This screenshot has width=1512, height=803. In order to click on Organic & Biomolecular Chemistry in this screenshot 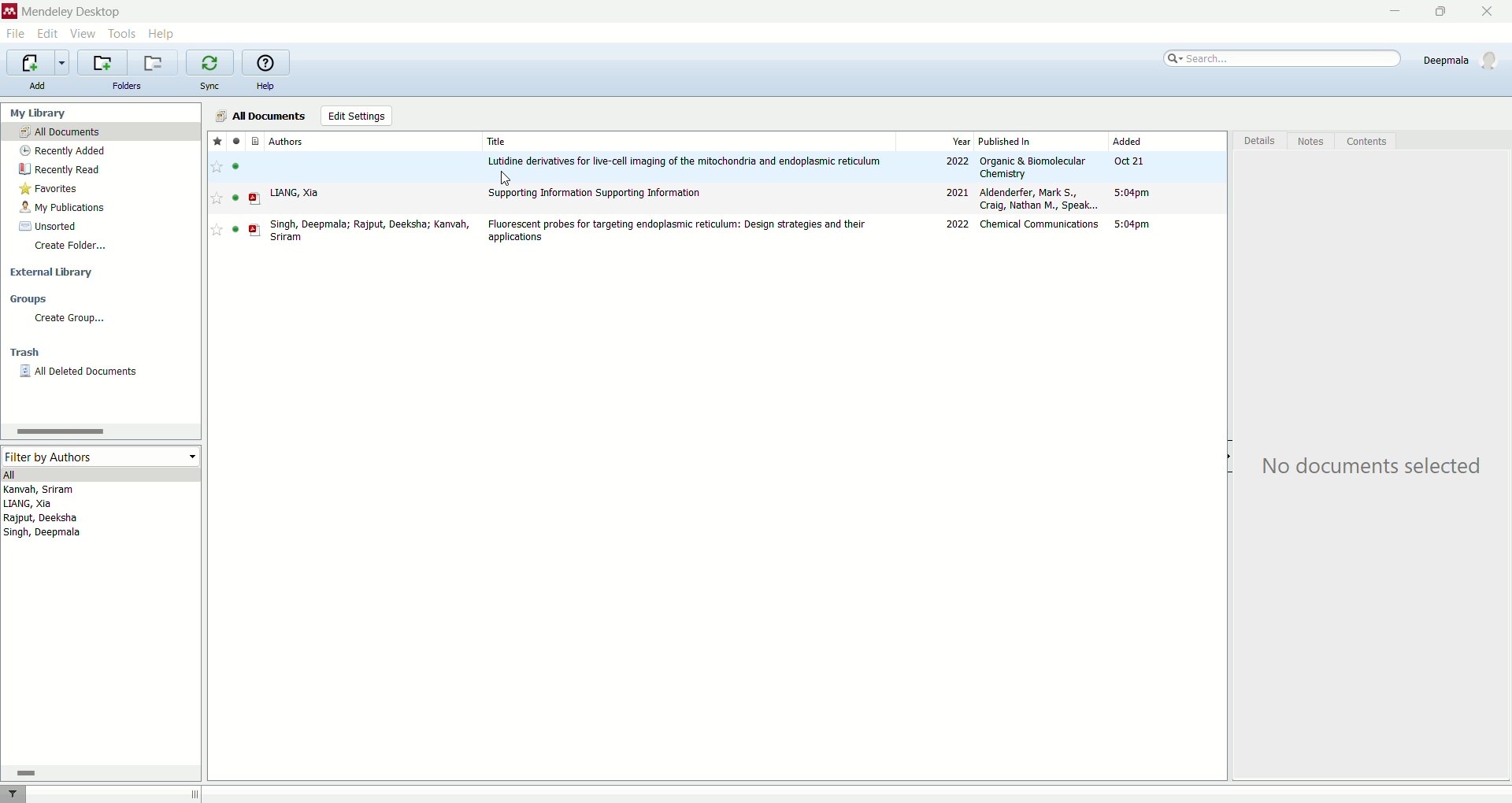, I will do `click(1036, 167)`.